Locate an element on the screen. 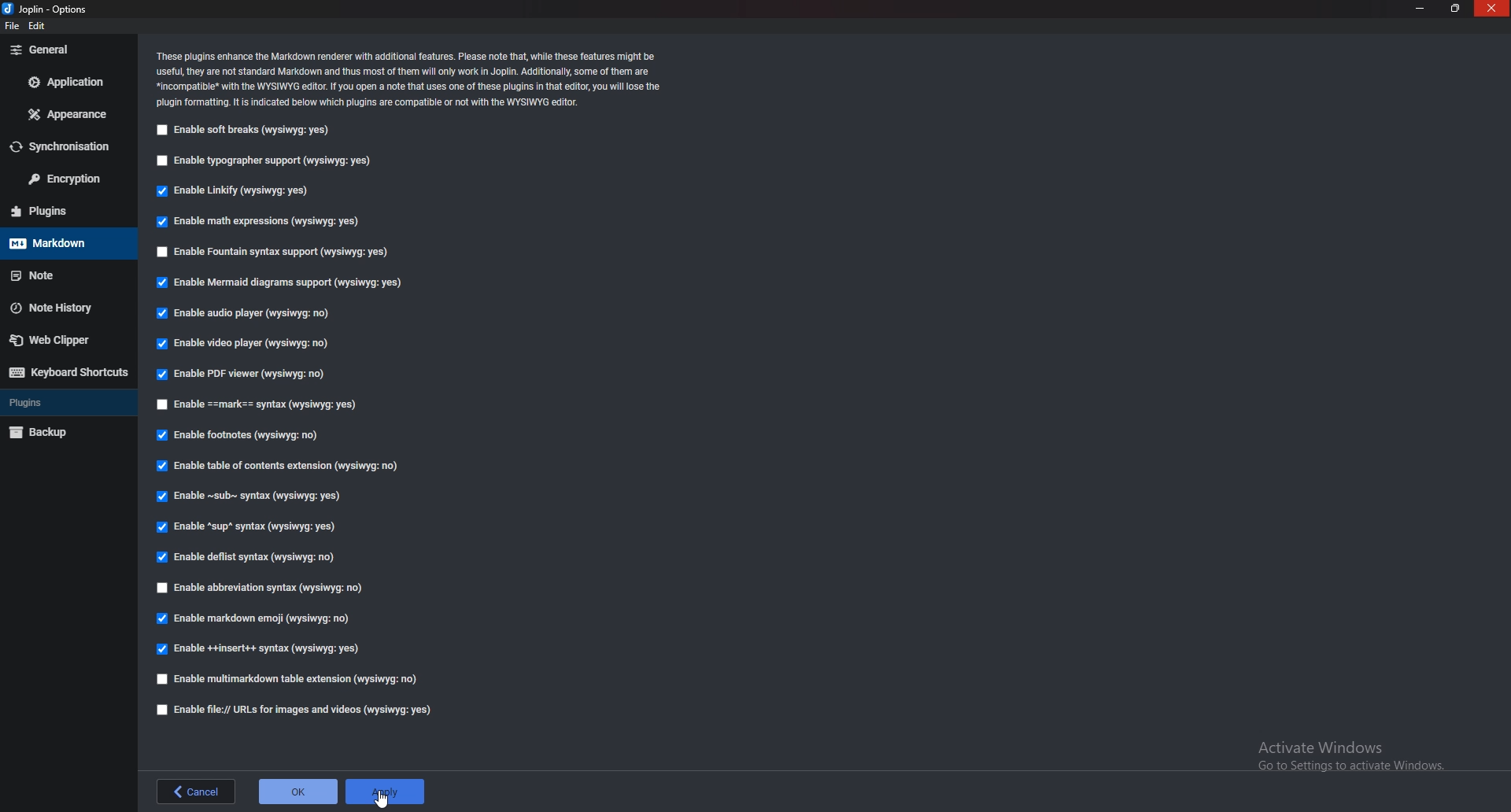 Image resolution: width=1511 pixels, height=812 pixels. enable video player is located at coordinates (249, 345).